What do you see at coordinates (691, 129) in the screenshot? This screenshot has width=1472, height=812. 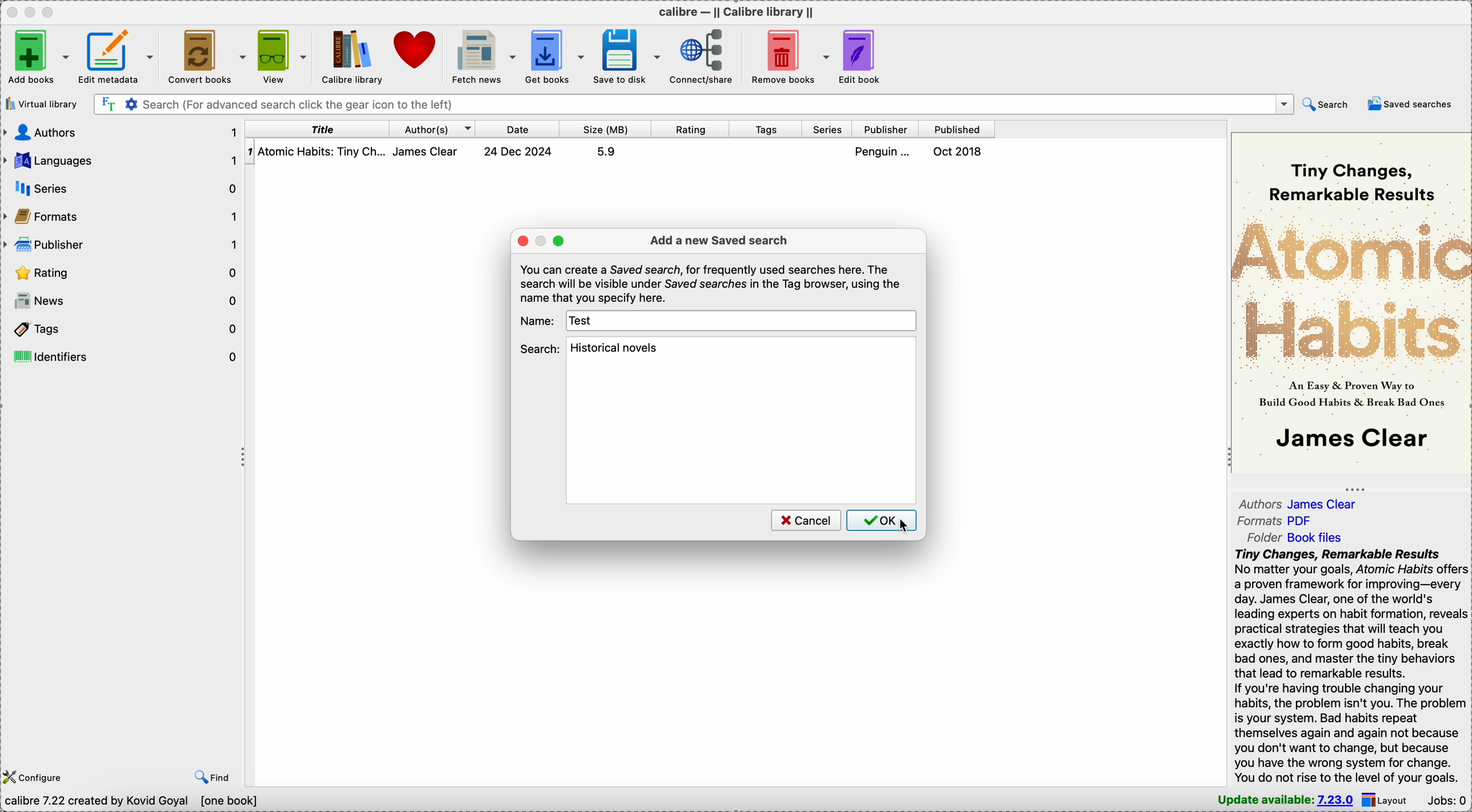 I see `rating` at bounding box center [691, 129].